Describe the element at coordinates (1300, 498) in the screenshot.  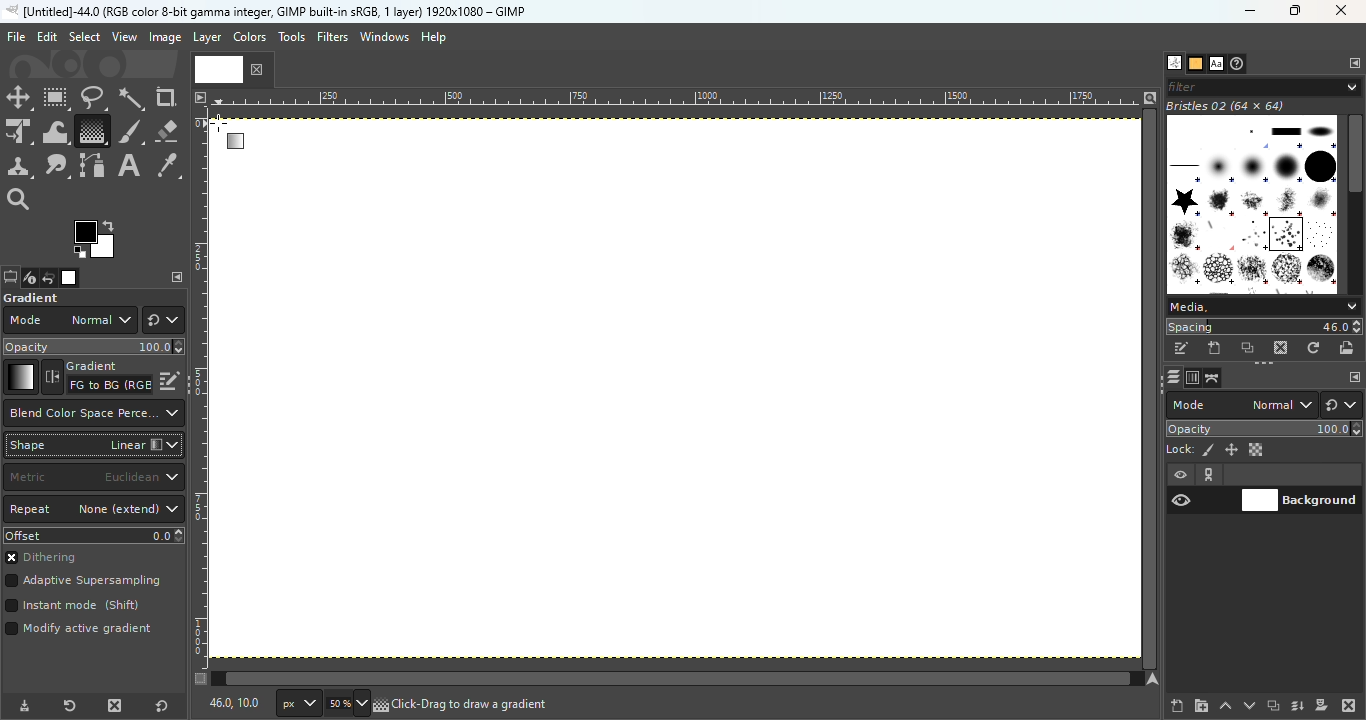
I see `Background` at that location.